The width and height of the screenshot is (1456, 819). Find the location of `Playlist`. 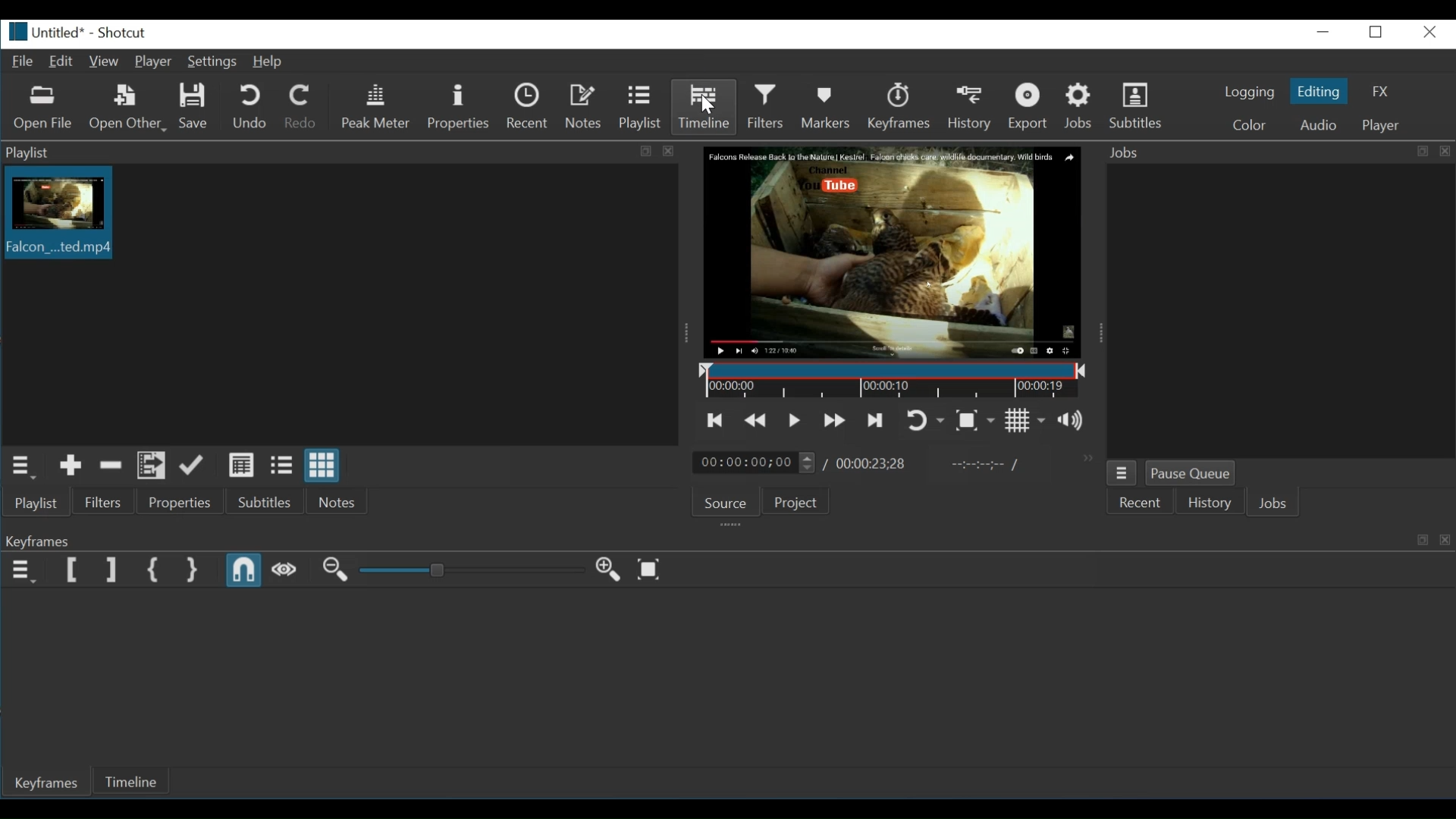

Playlist is located at coordinates (38, 502).